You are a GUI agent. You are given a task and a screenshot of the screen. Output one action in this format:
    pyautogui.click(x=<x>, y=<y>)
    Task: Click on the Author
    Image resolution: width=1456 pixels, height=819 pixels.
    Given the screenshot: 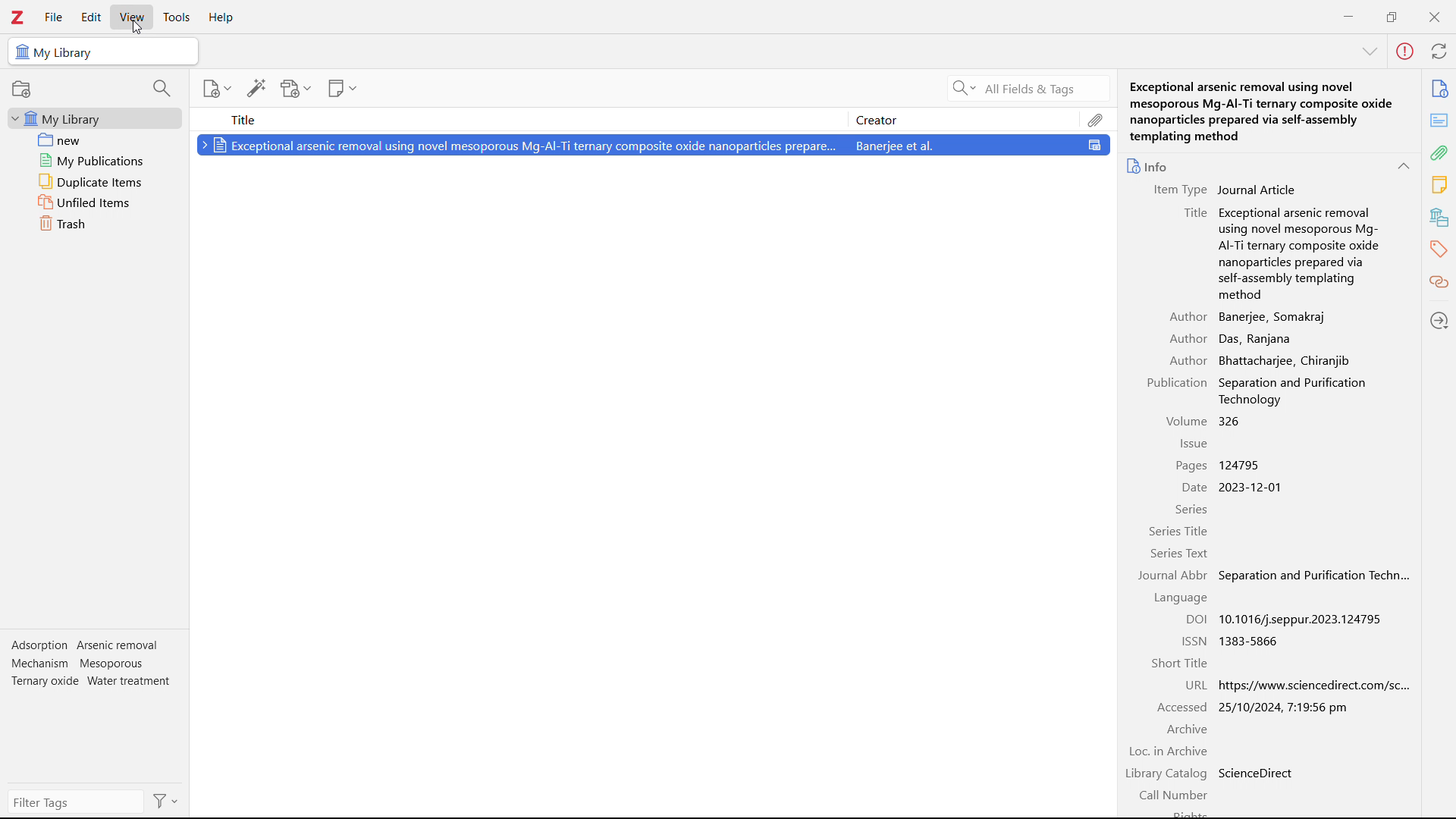 What is the action you would take?
    pyautogui.click(x=1188, y=359)
    